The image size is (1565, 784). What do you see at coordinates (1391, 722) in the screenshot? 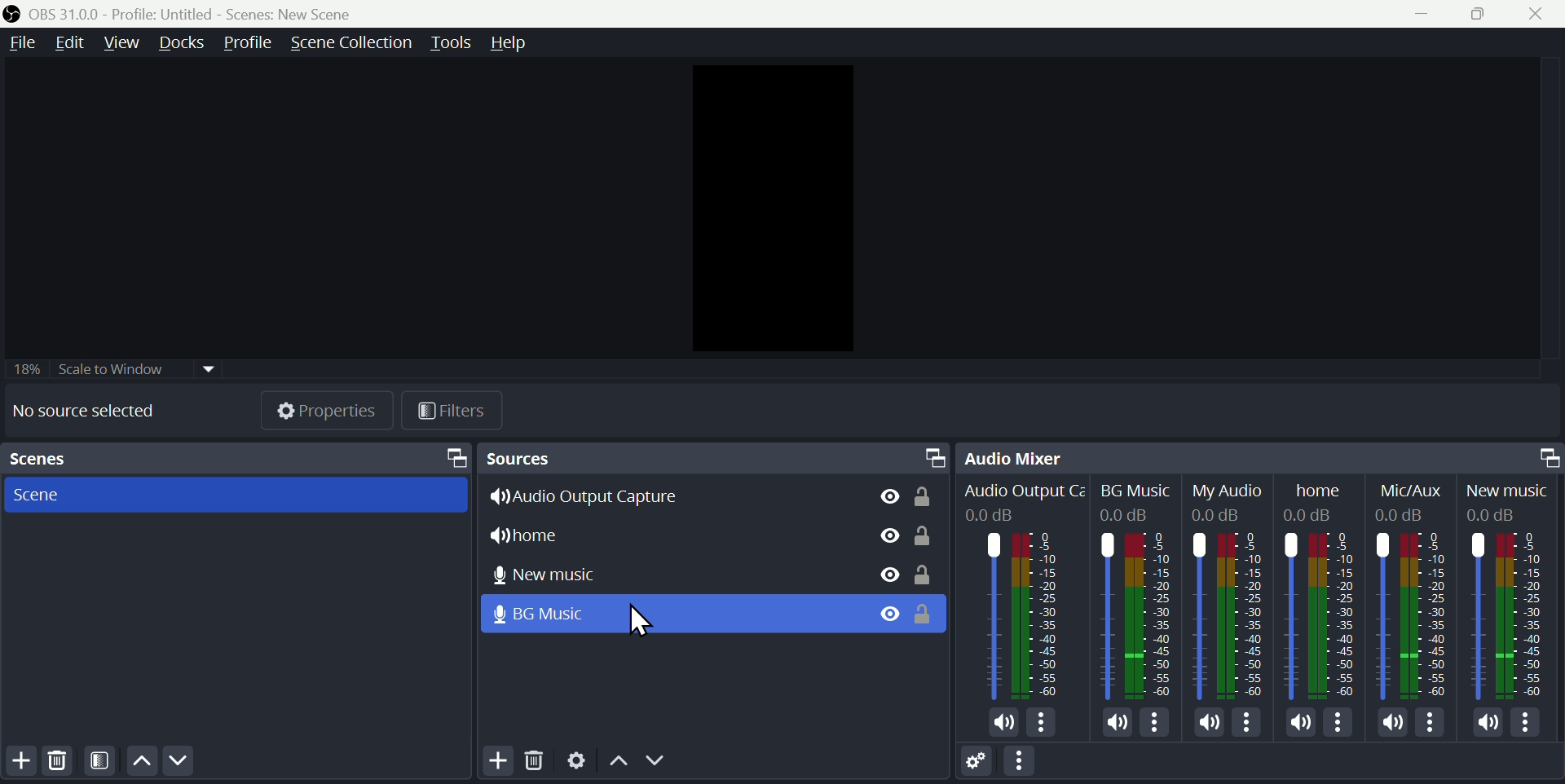
I see `Mute/unmute` at bounding box center [1391, 722].